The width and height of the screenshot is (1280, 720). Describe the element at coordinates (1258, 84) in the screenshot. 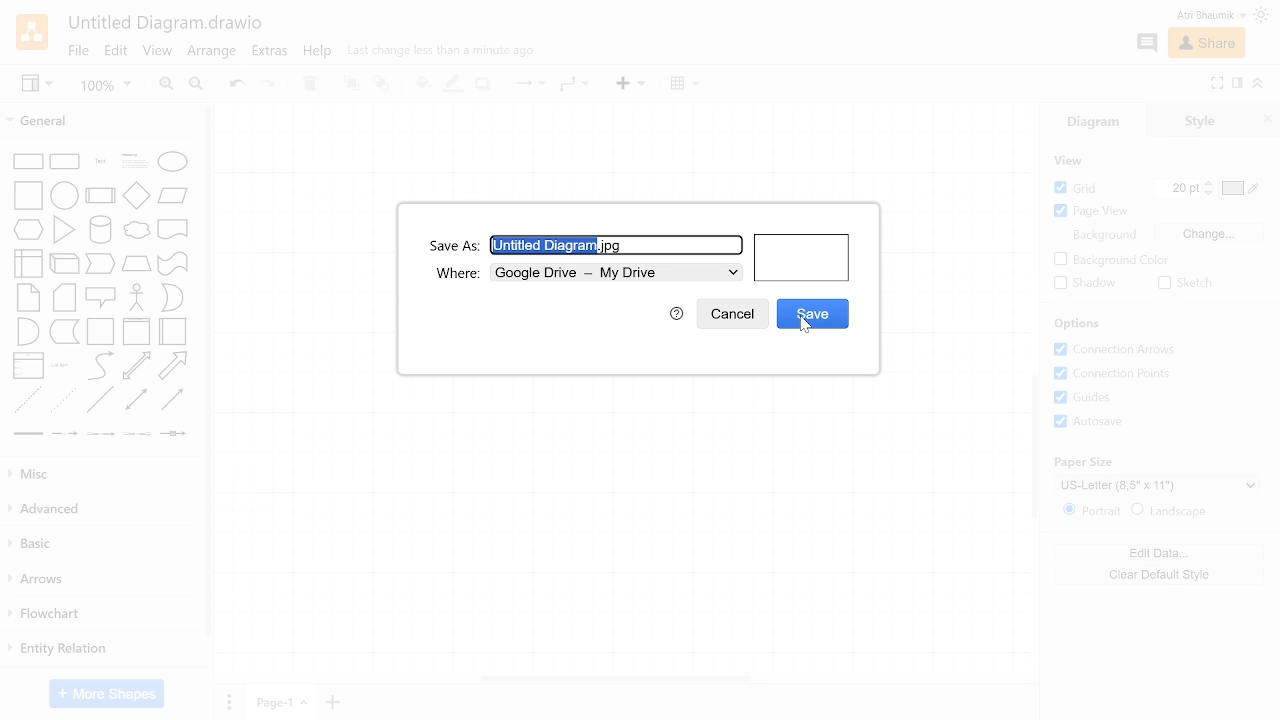

I see `Collapse` at that location.